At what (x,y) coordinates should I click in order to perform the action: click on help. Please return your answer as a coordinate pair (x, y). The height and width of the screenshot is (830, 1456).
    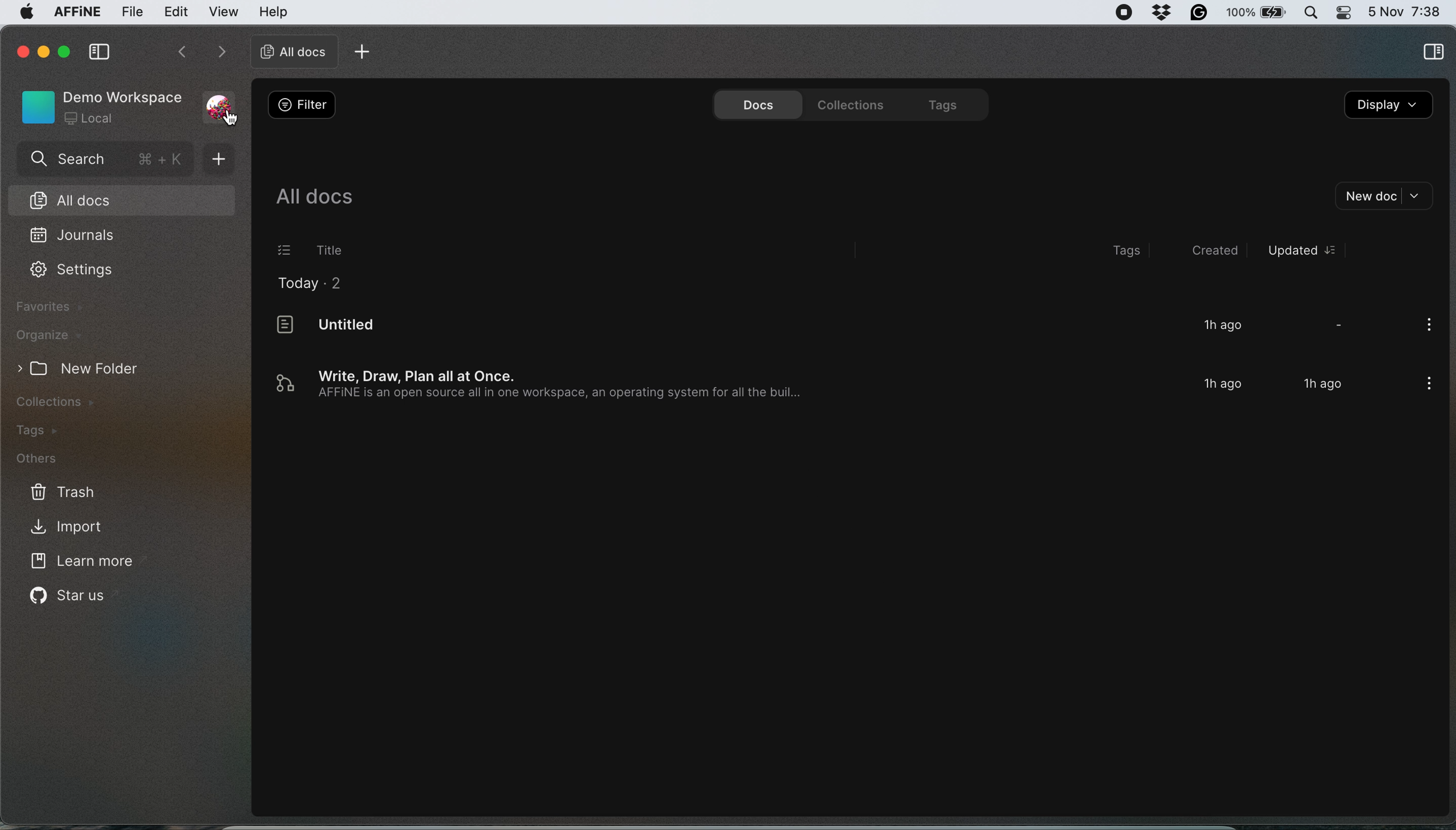
    Looking at the image, I should click on (274, 11).